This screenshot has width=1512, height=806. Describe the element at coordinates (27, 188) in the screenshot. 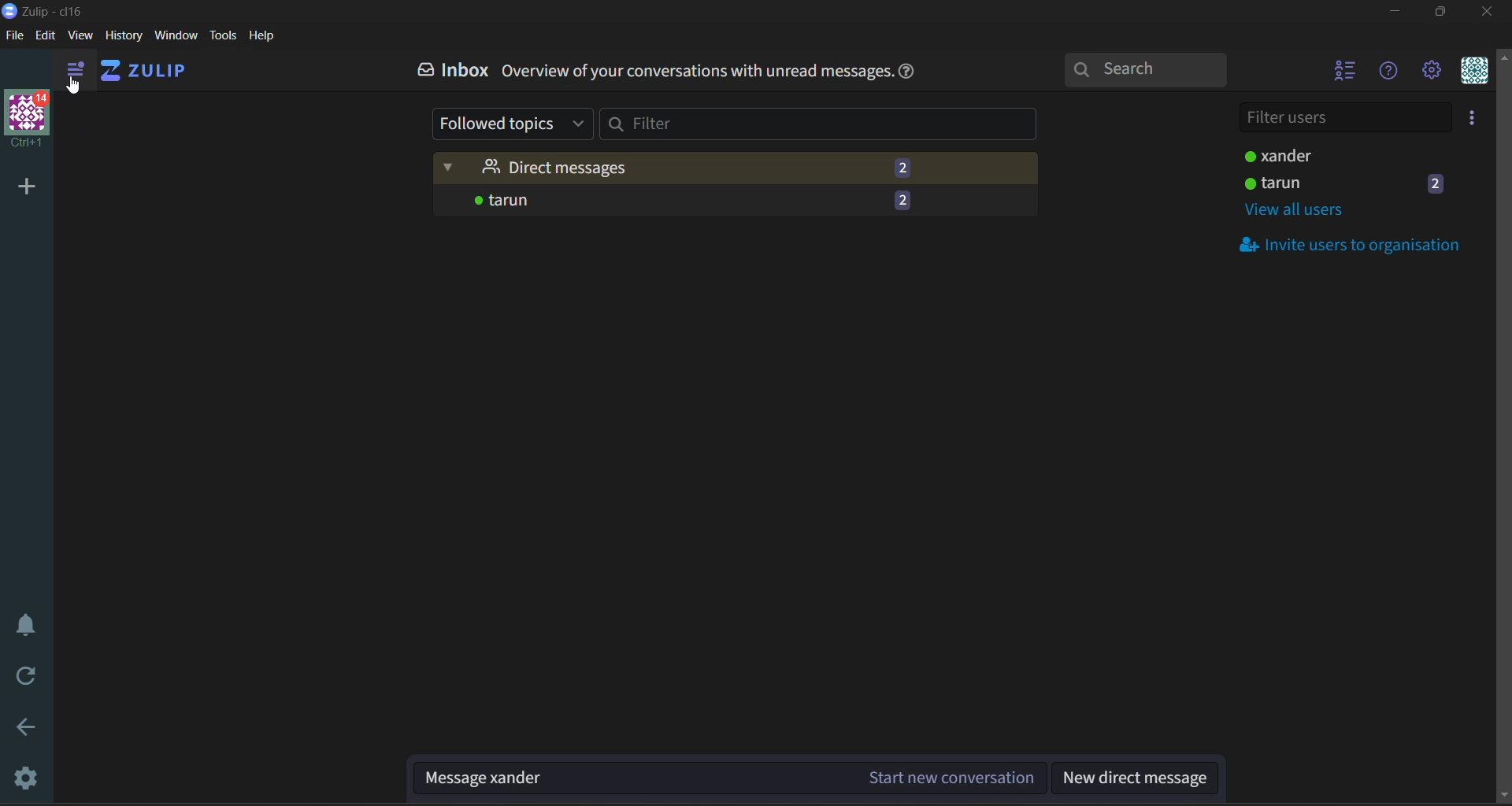

I see `add organisation` at that location.